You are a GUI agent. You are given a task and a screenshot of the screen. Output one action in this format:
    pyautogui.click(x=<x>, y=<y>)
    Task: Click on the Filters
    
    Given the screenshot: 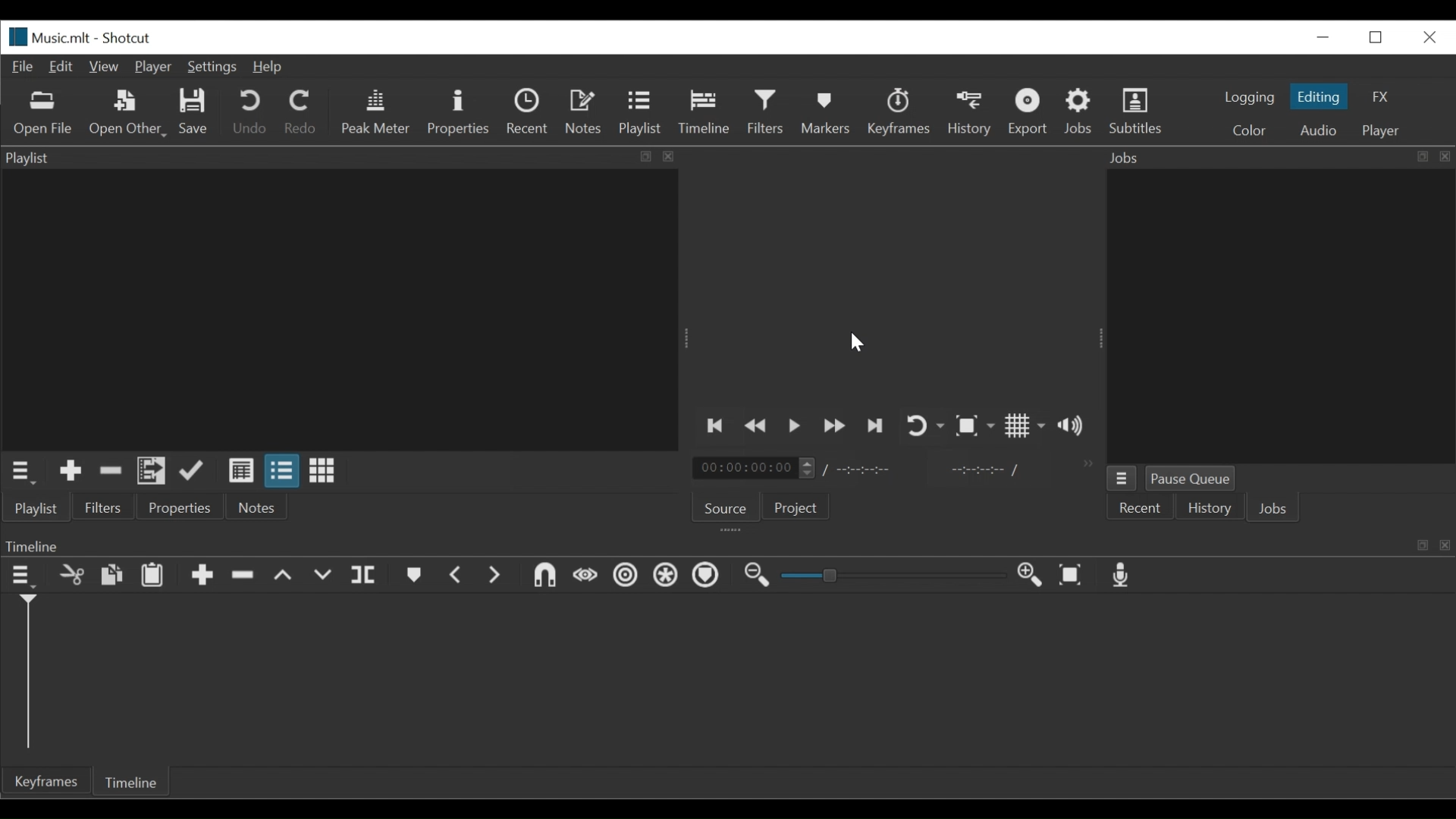 What is the action you would take?
    pyautogui.click(x=767, y=113)
    